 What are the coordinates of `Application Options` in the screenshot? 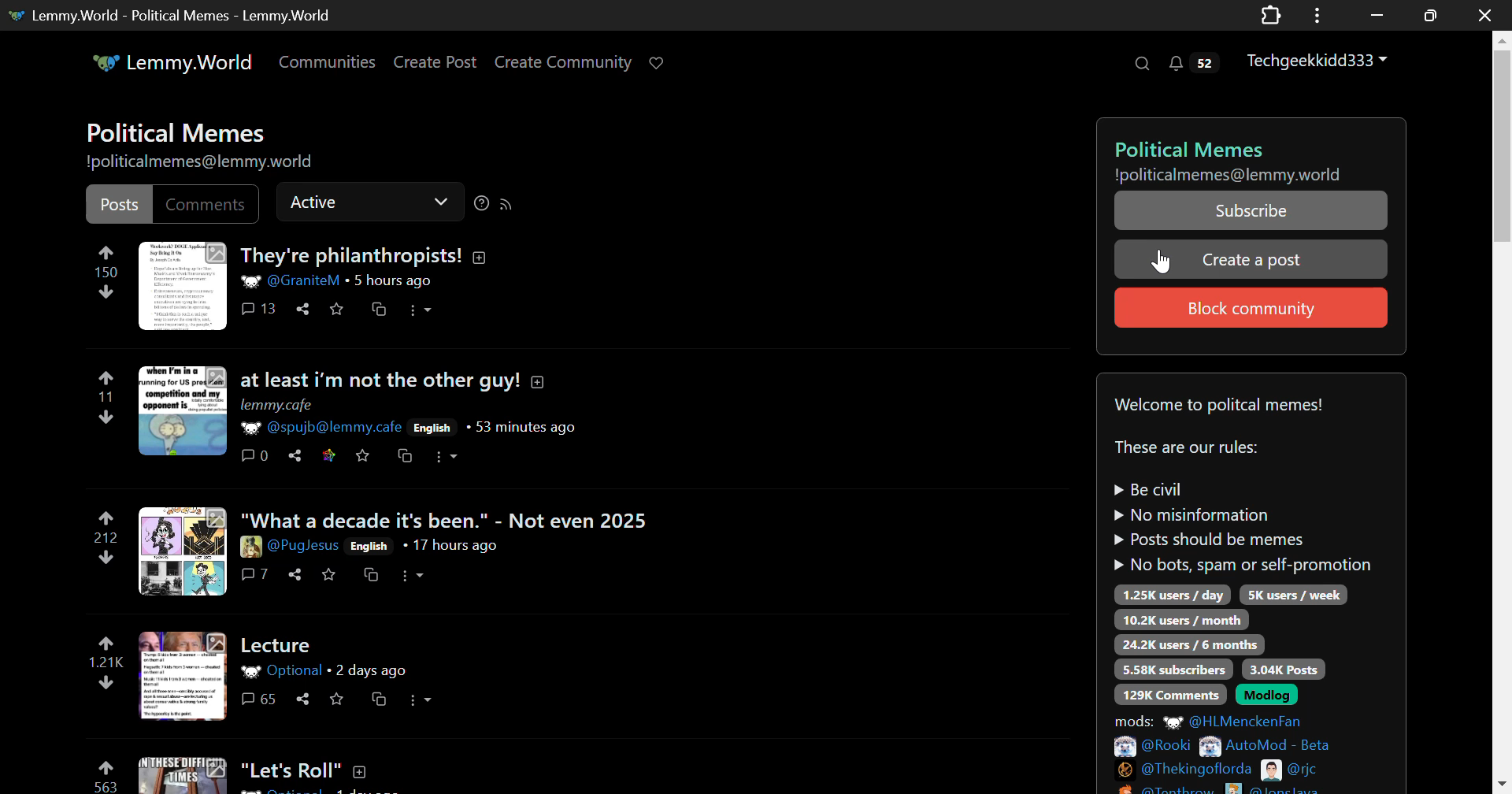 It's located at (1317, 14).